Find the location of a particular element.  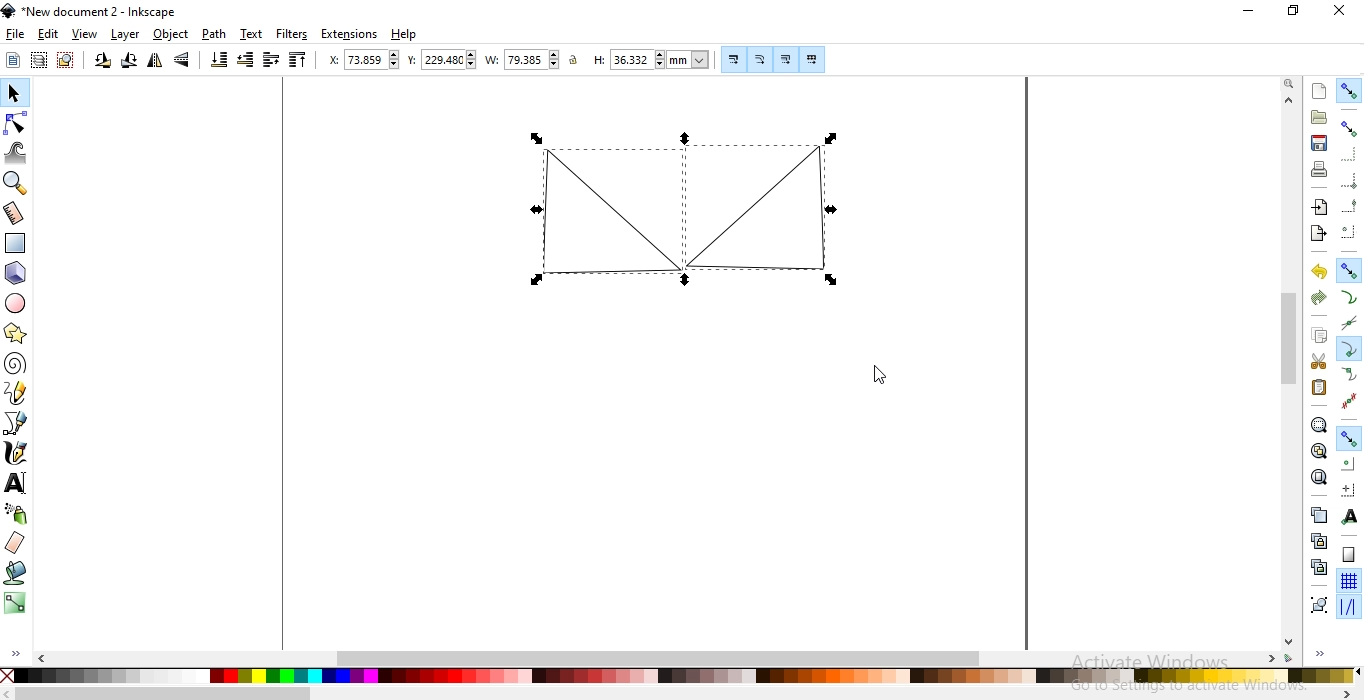

create new document with default template is located at coordinates (1320, 91).